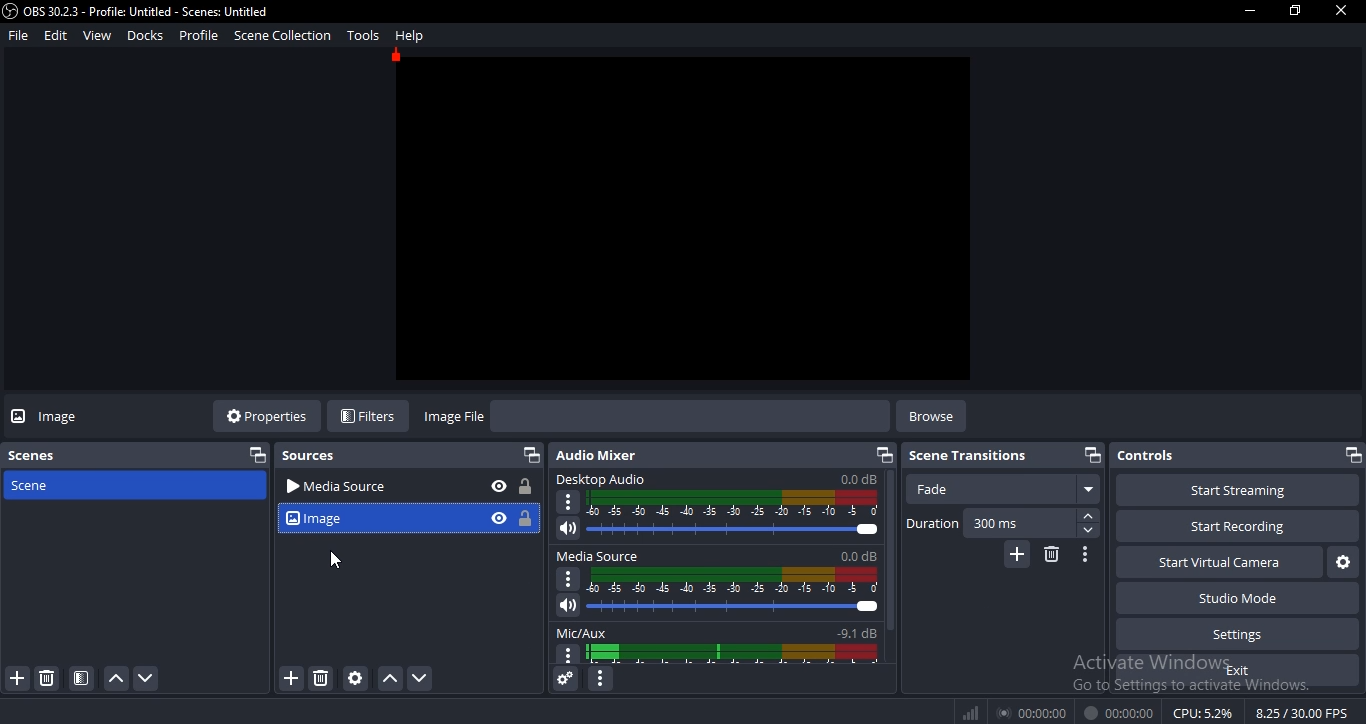  Describe the element at coordinates (731, 581) in the screenshot. I see `display` at that location.